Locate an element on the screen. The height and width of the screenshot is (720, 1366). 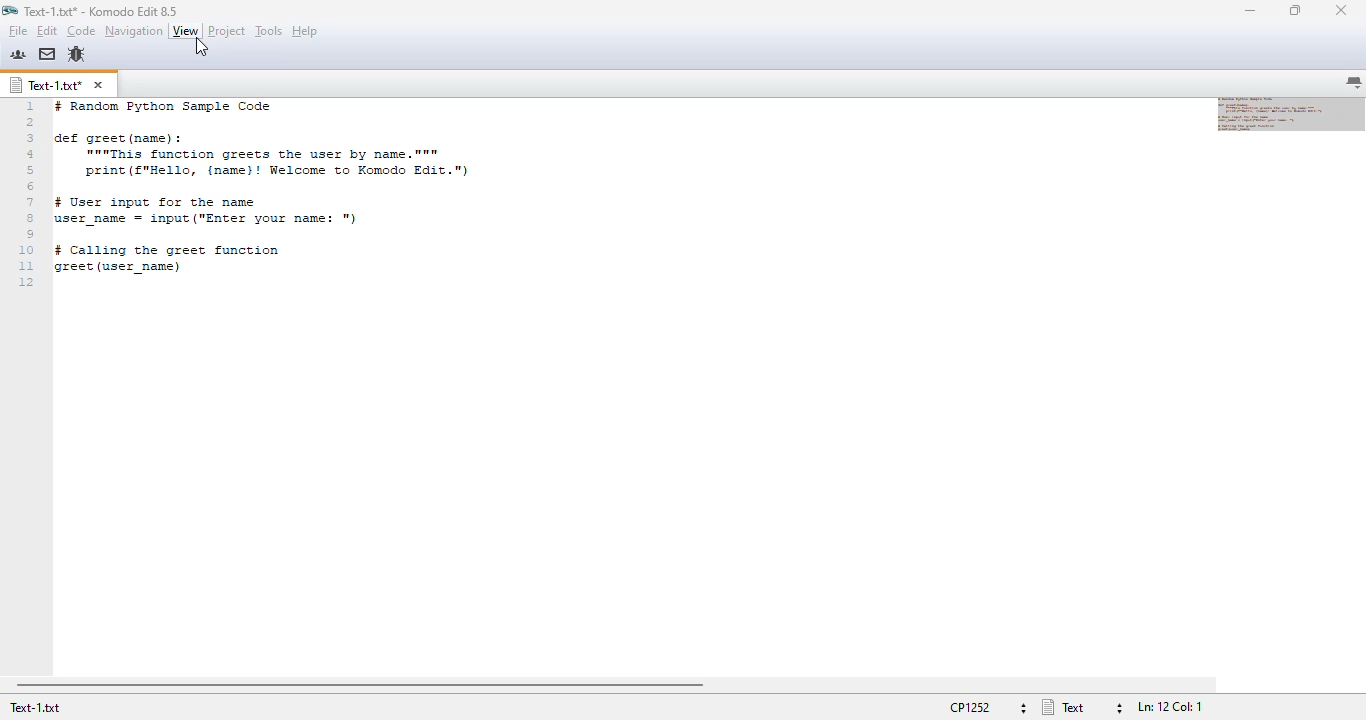
line numbers is located at coordinates (27, 194).